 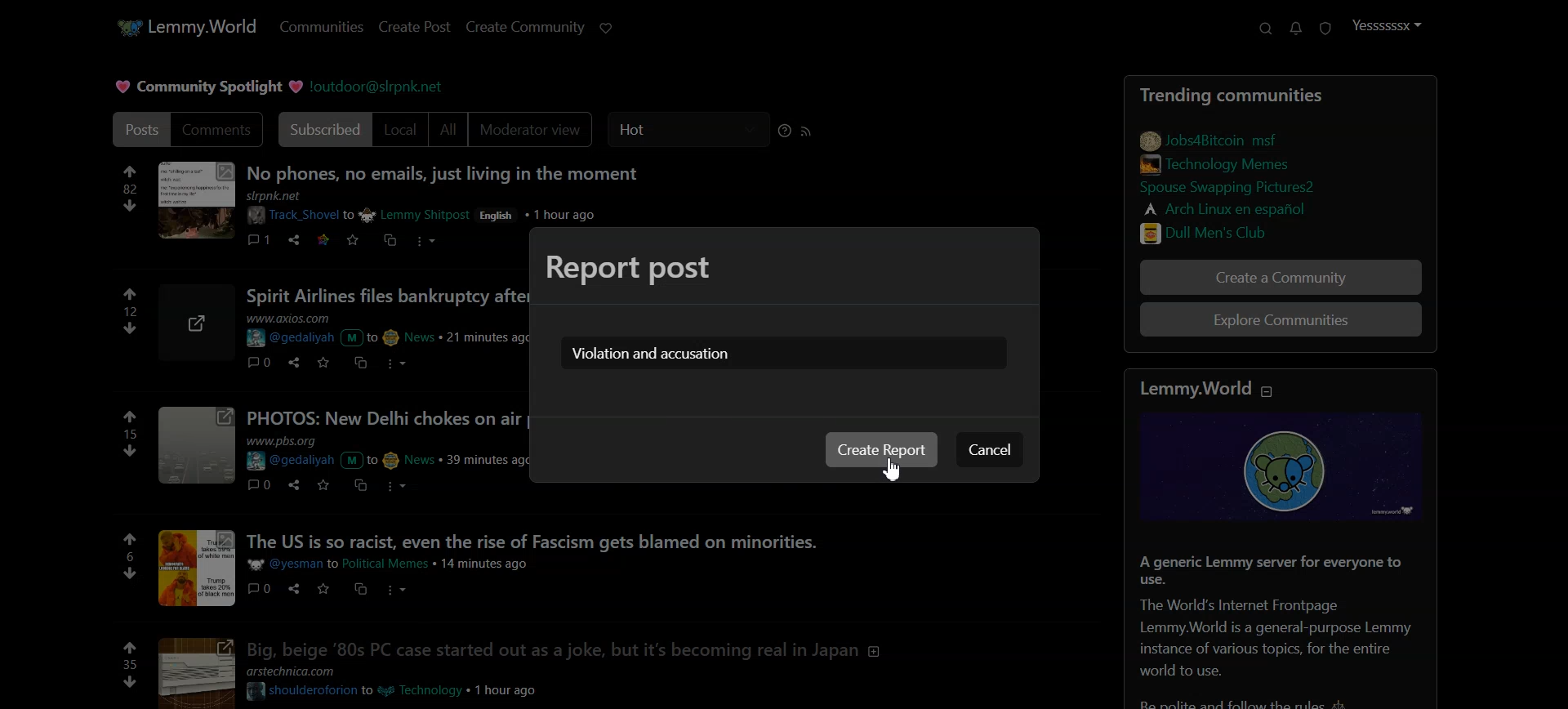 What do you see at coordinates (892, 470) in the screenshot?
I see `Cursor` at bounding box center [892, 470].